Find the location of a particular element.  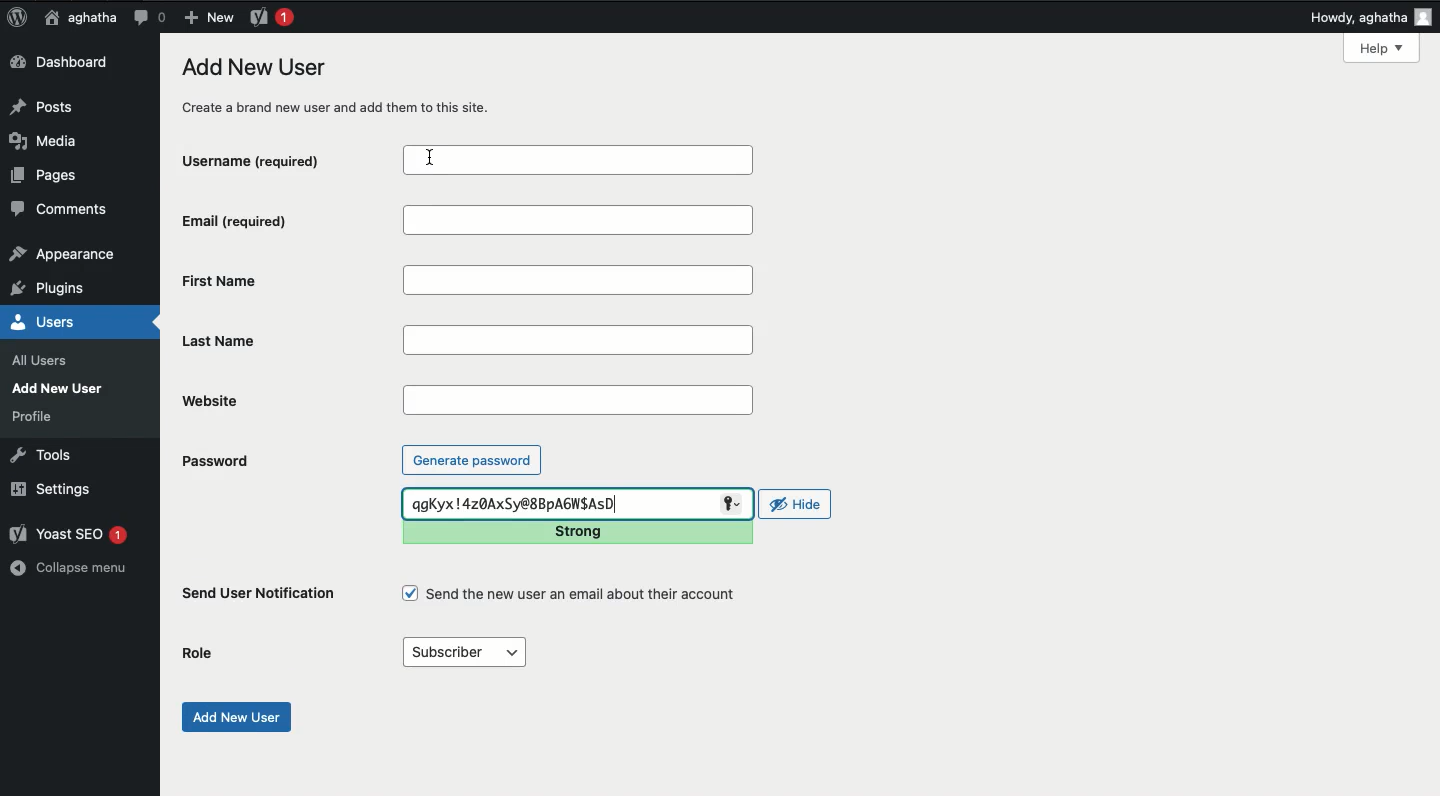

qgKyx !4z0AxSy@8BpA6WSAsD is located at coordinates (576, 504).